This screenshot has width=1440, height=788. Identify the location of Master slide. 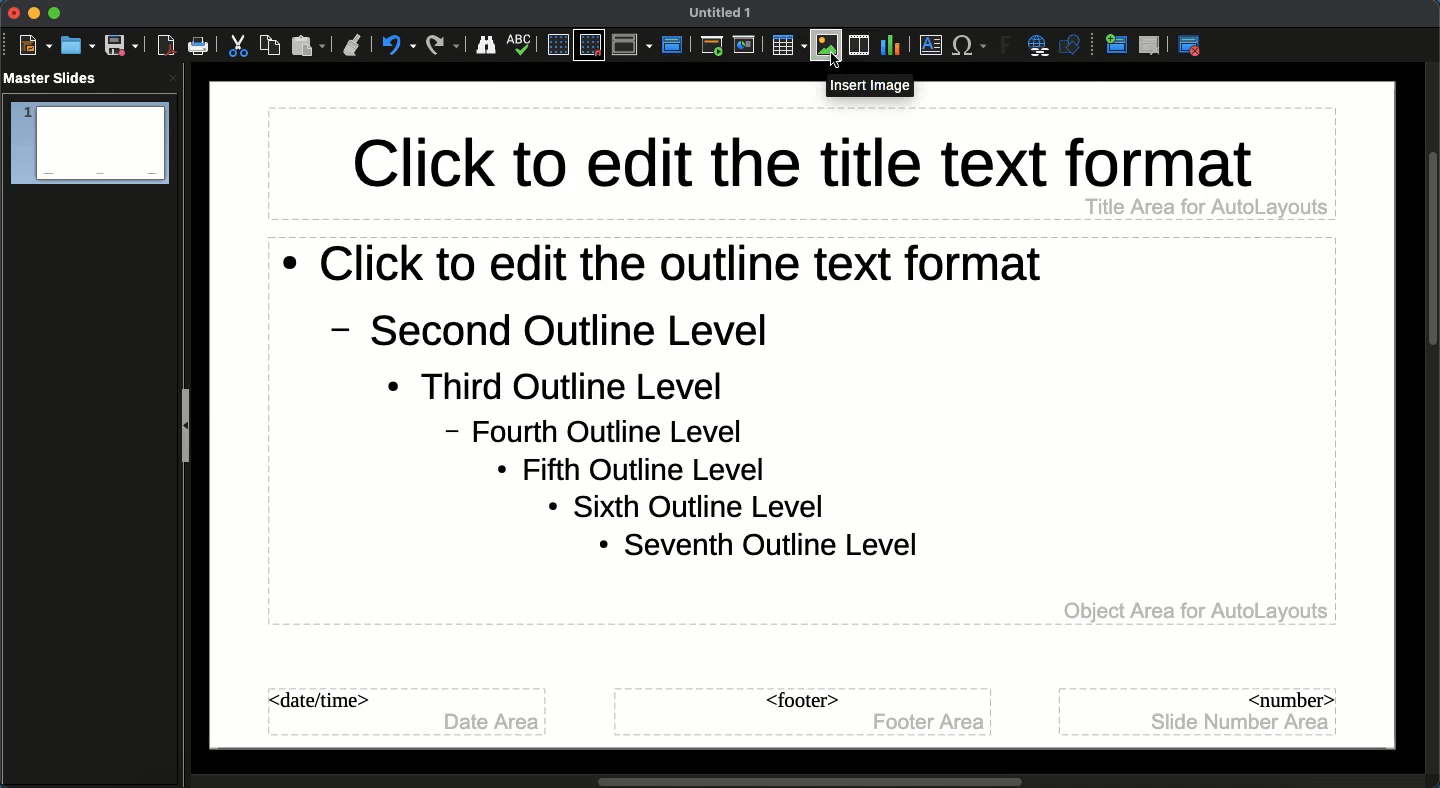
(675, 40).